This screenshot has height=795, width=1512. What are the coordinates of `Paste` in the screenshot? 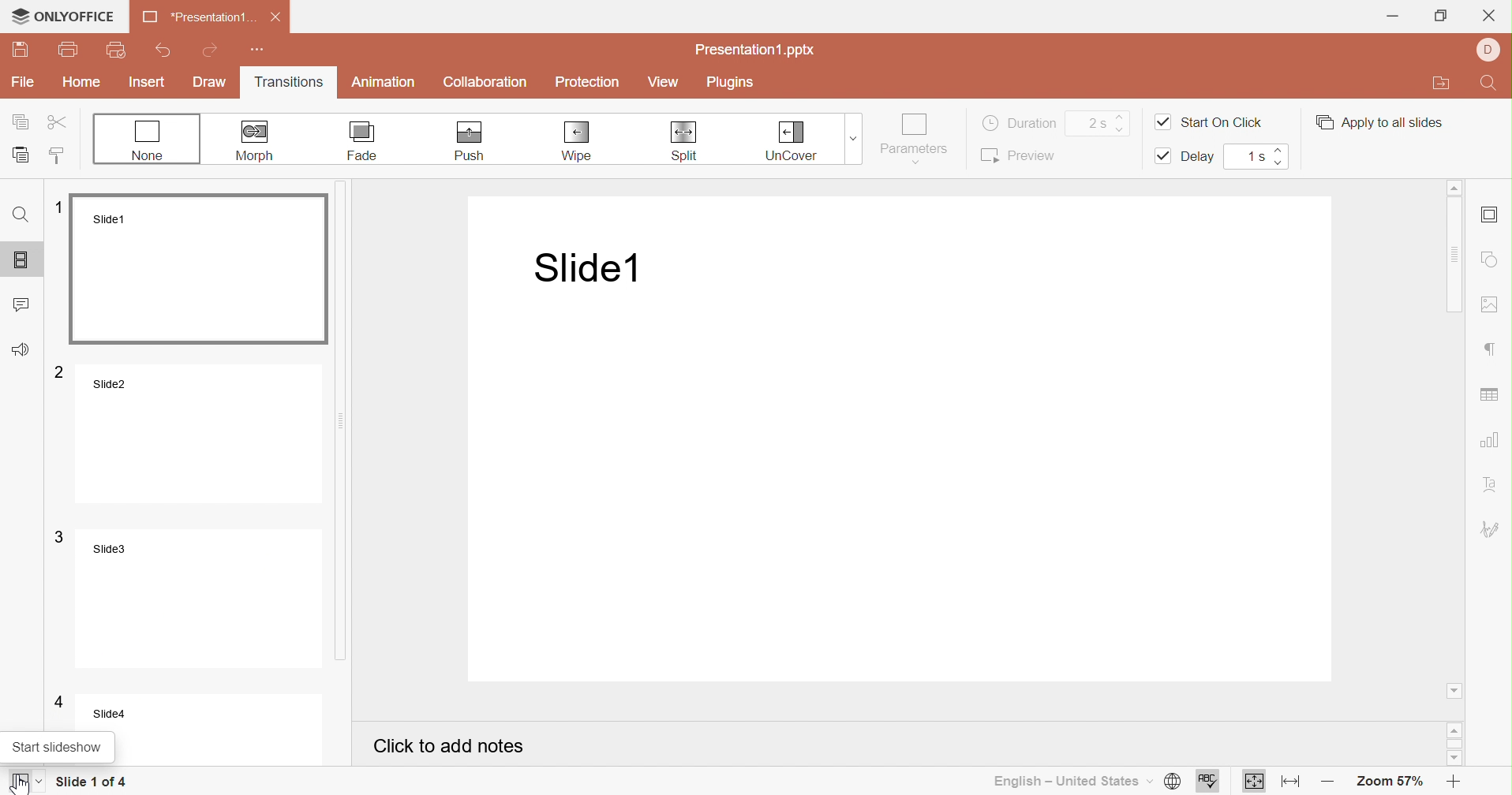 It's located at (22, 153).